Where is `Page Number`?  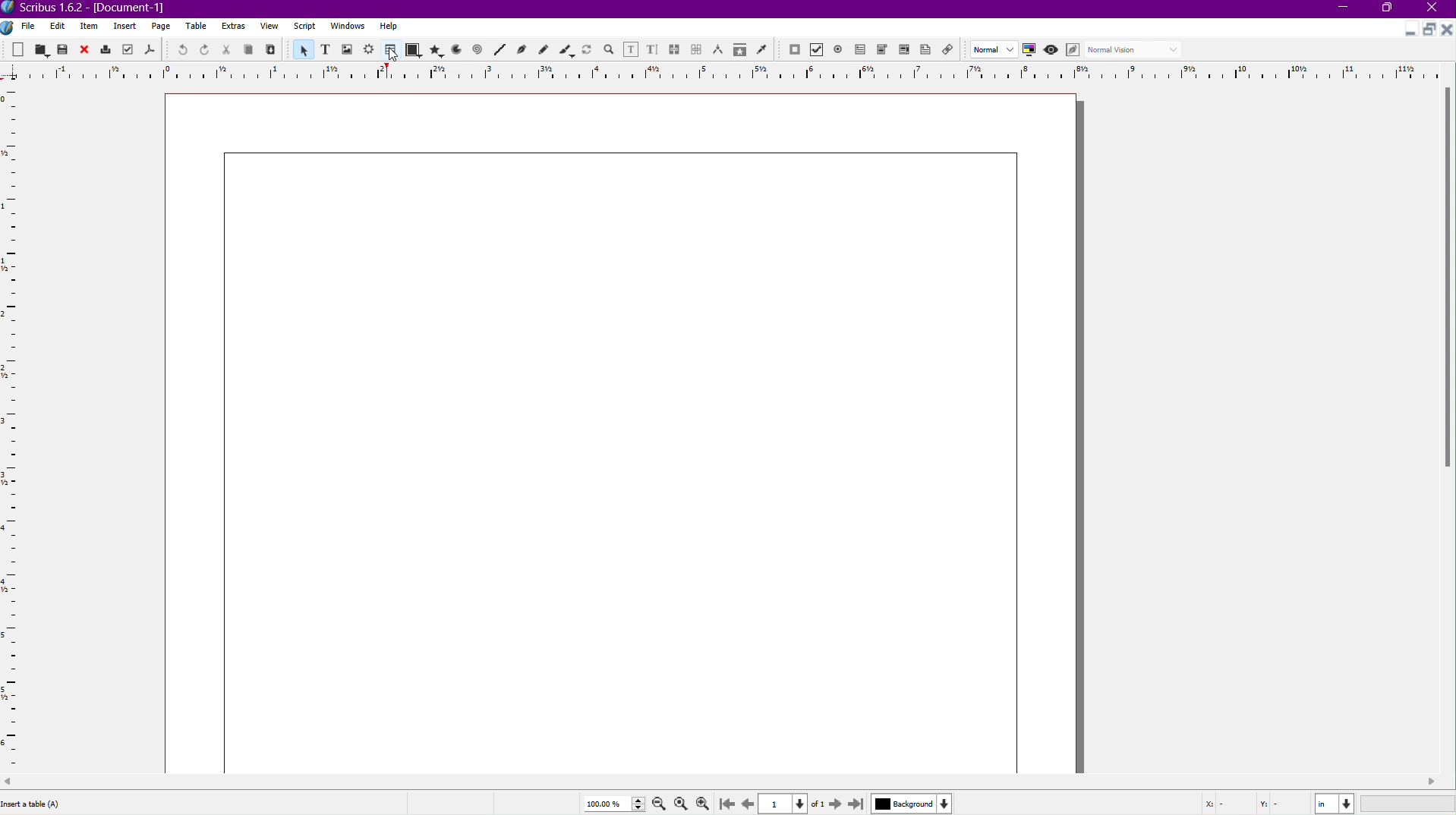 Page Number is located at coordinates (785, 804).